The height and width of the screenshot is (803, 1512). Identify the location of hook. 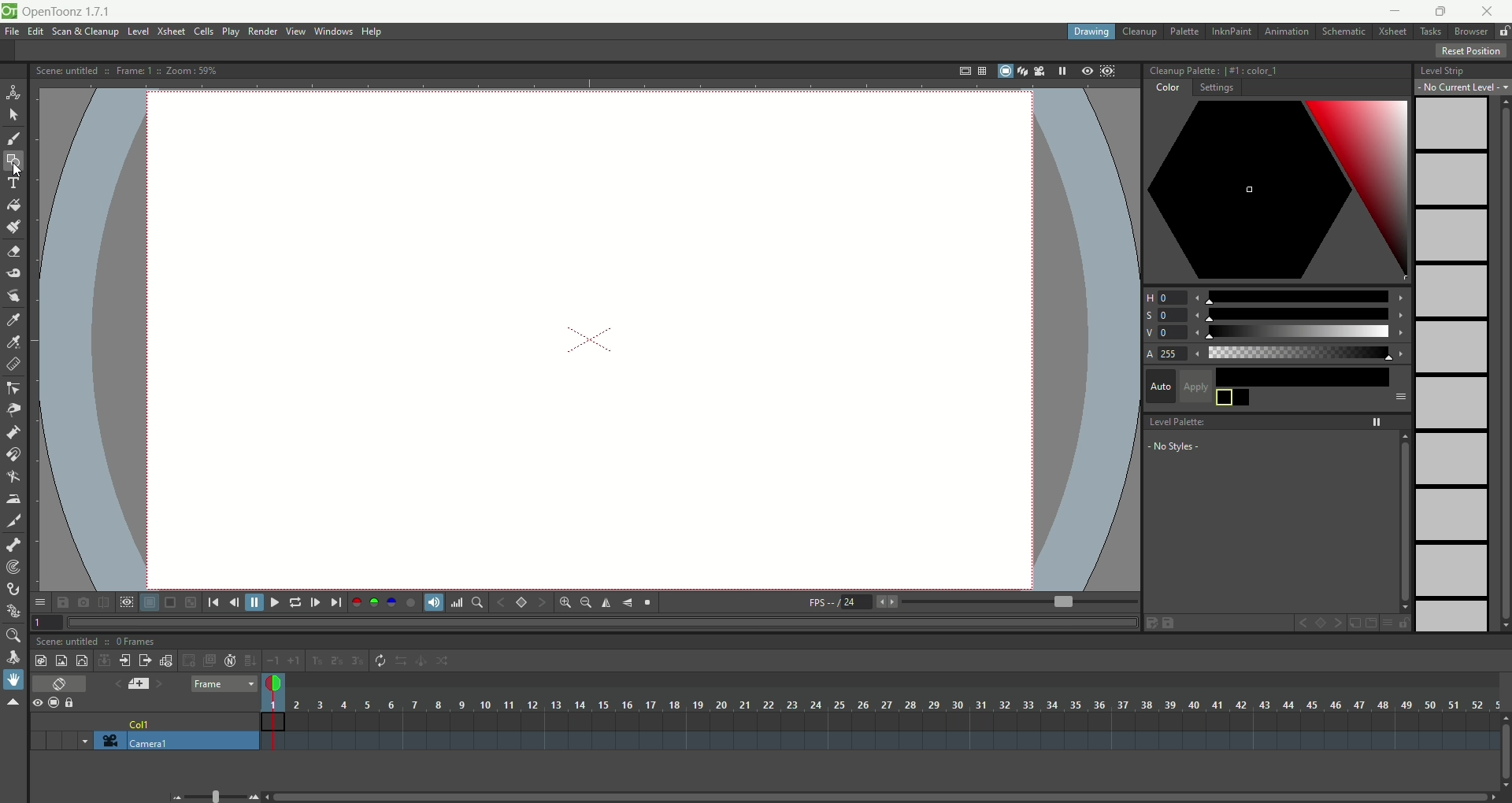
(15, 590).